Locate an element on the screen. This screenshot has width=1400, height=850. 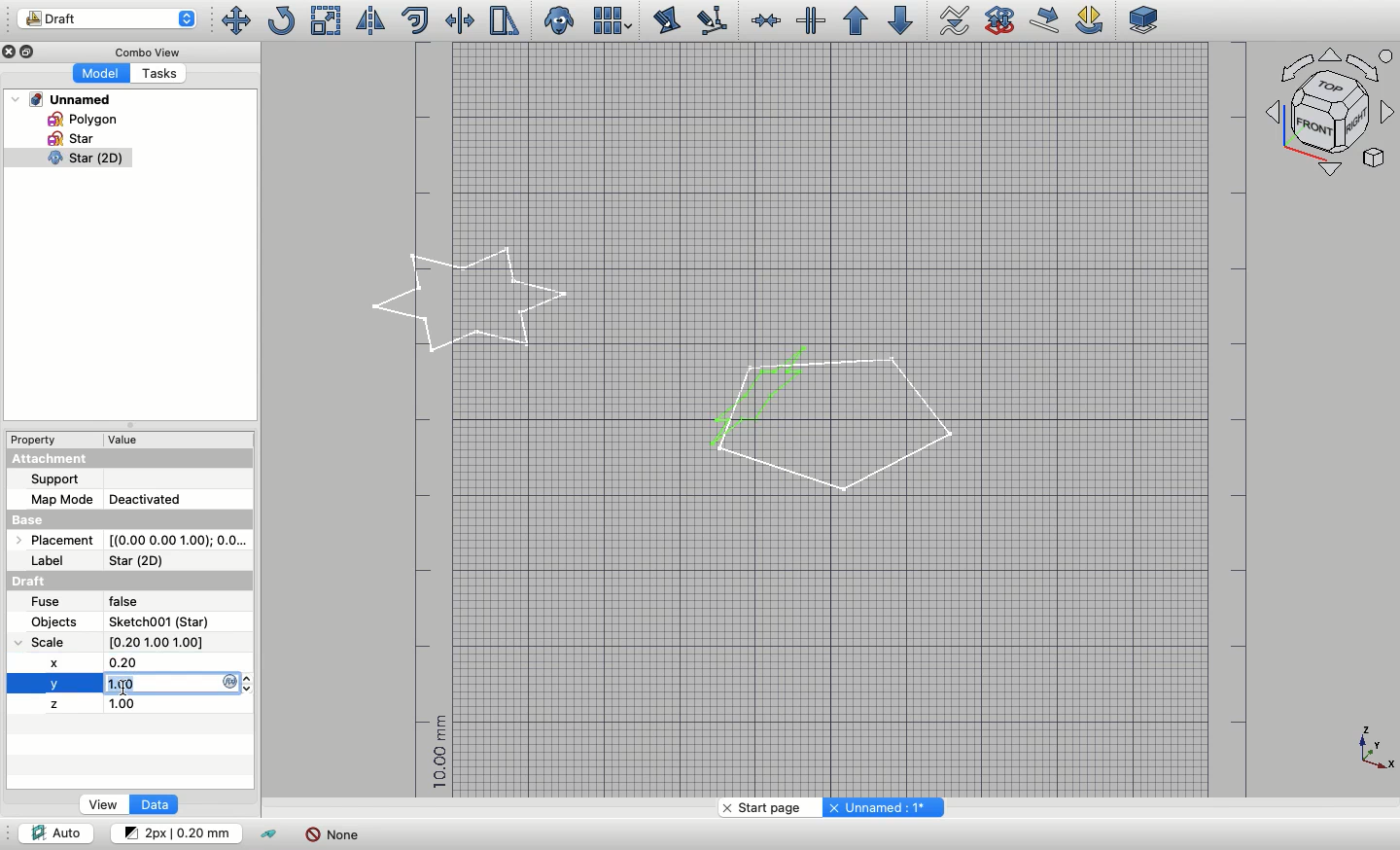
Star (2D) is located at coordinates (139, 561).